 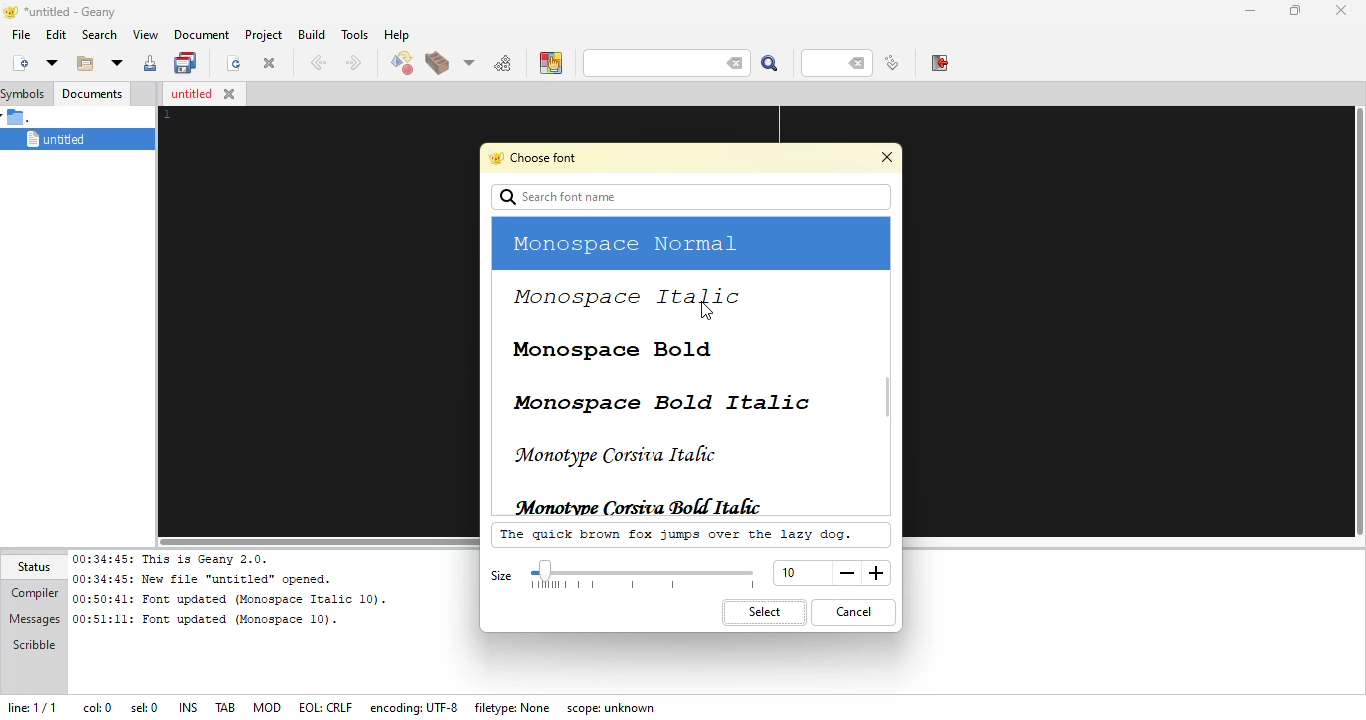 I want to click on line: 1/1, so click(x=37, y=706).